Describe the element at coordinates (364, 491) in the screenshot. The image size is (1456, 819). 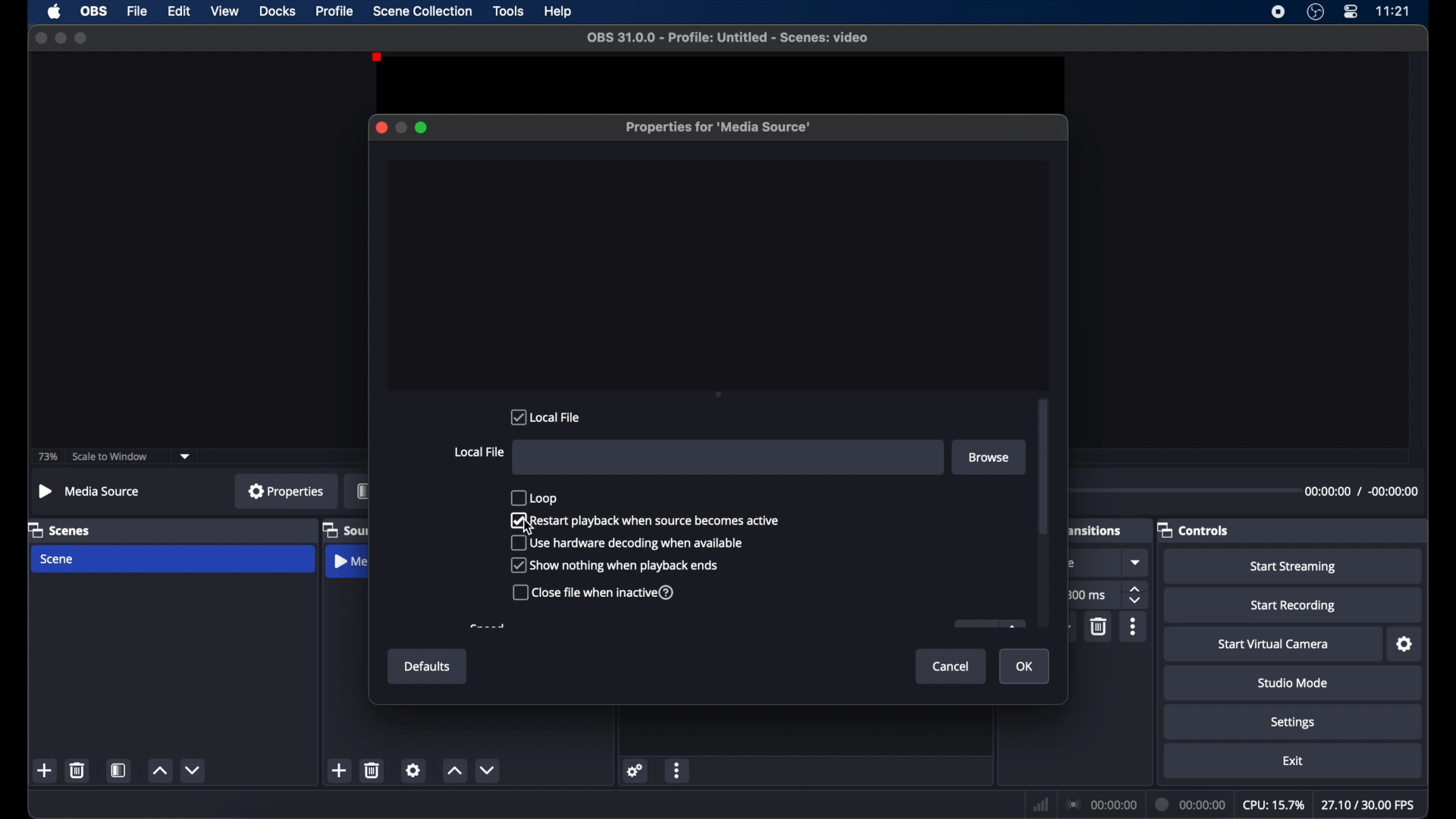
I see `filters` at that location.